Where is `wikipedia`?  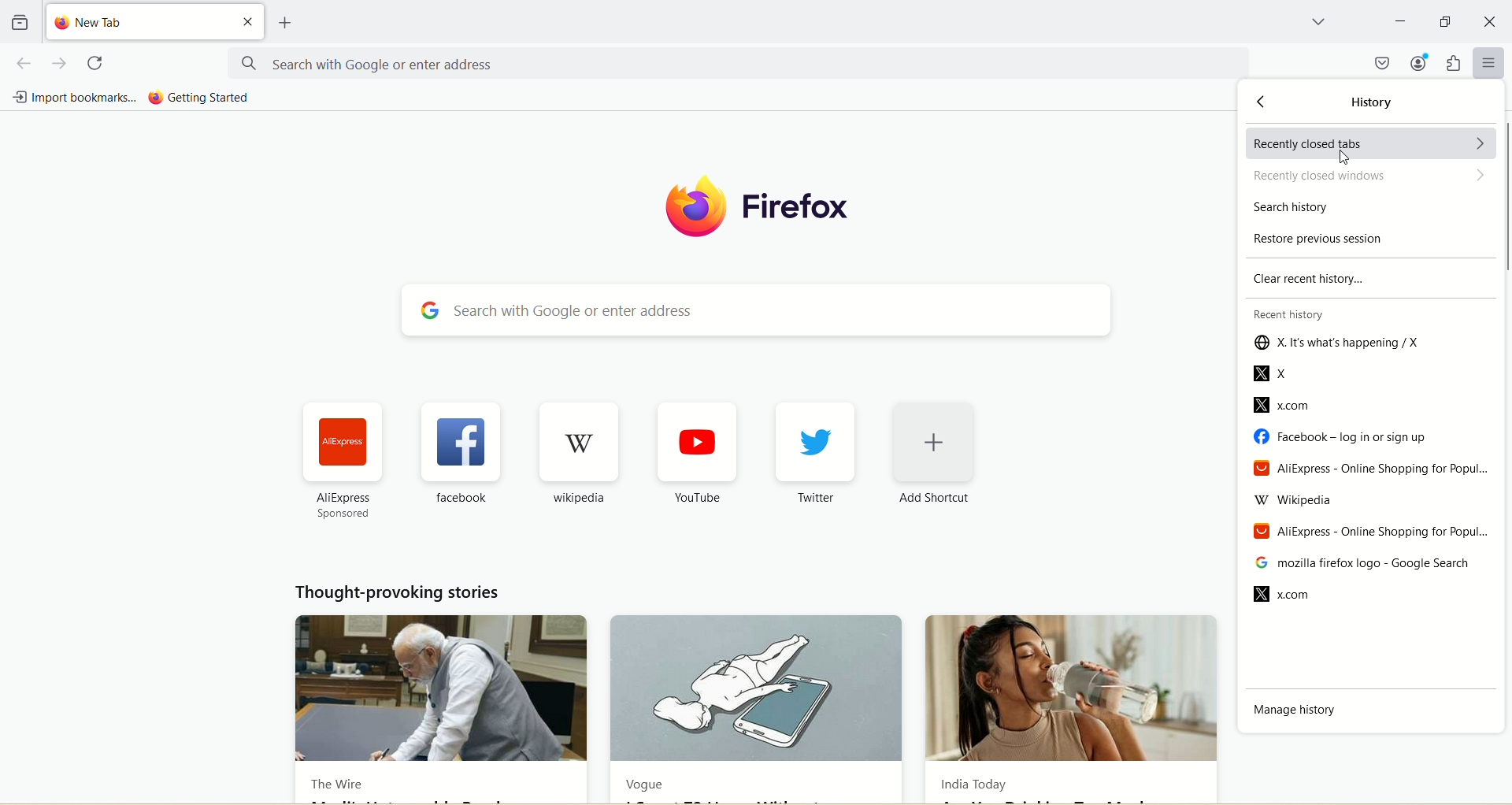
wikipedia is located at coordinates (579, 443).